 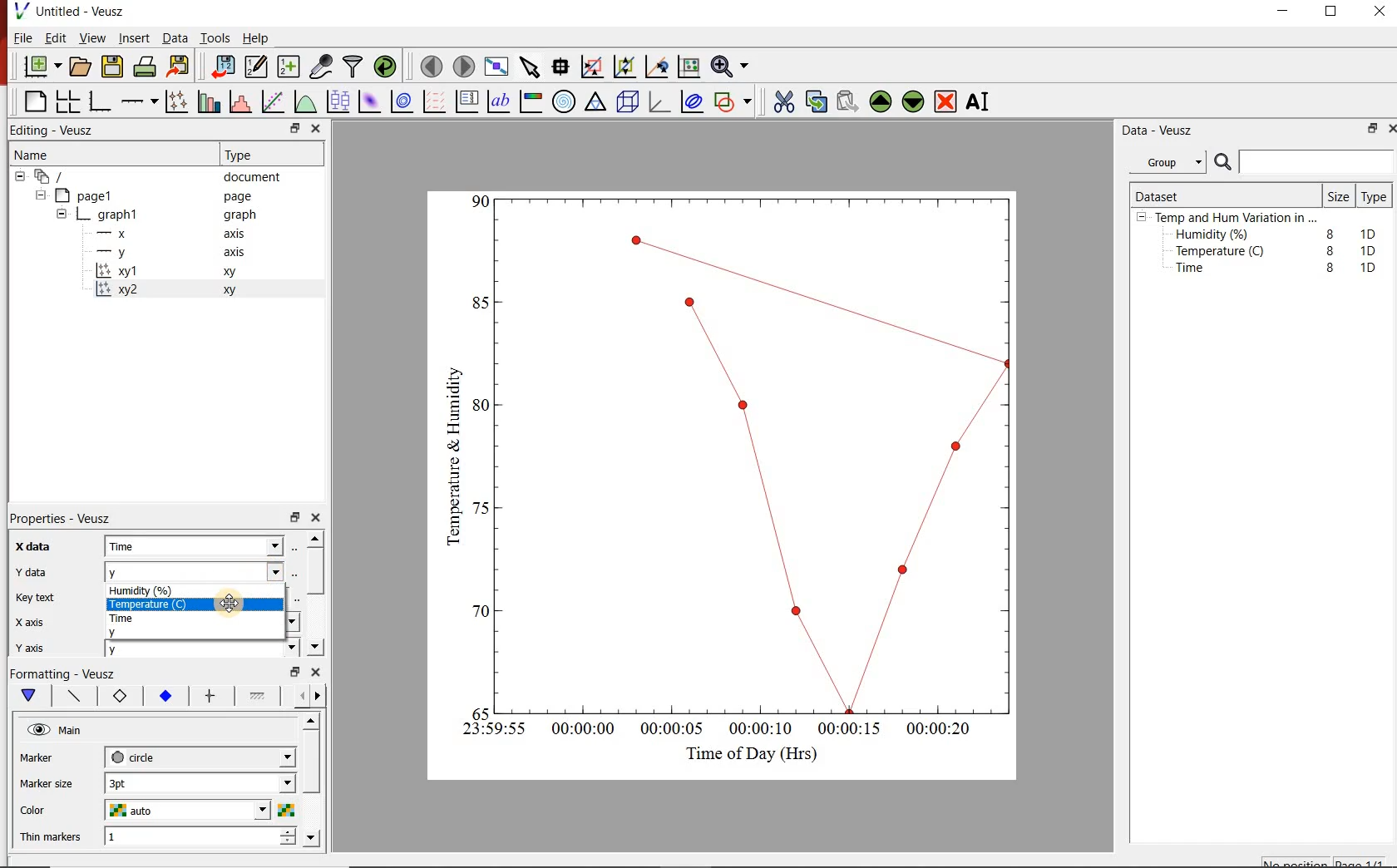 What do you see at coordinates (1289, 12) in the screenshot?
I see `minimize` at bounding box center [1289, 12].